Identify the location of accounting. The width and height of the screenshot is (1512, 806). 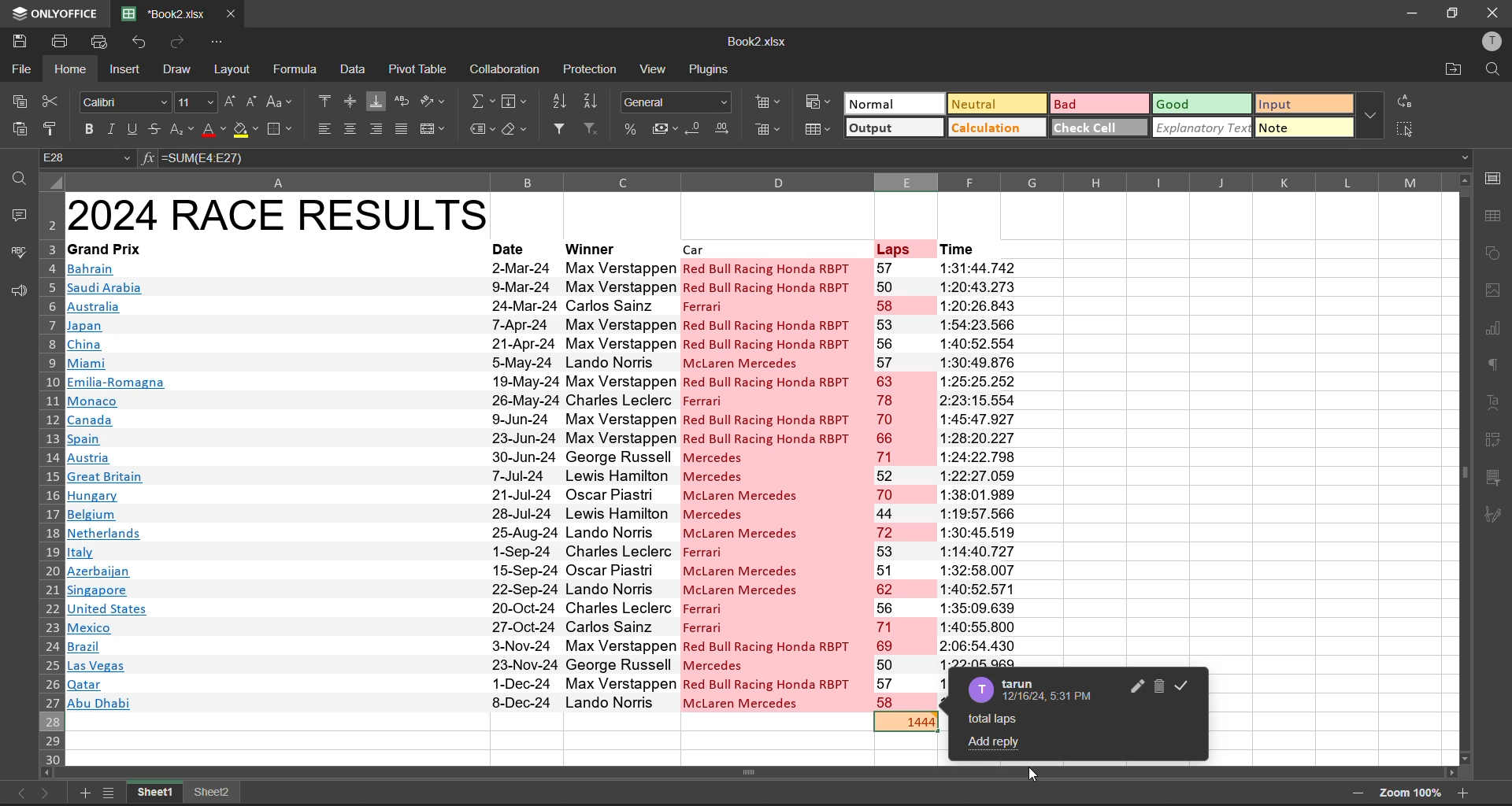
(662, 128).